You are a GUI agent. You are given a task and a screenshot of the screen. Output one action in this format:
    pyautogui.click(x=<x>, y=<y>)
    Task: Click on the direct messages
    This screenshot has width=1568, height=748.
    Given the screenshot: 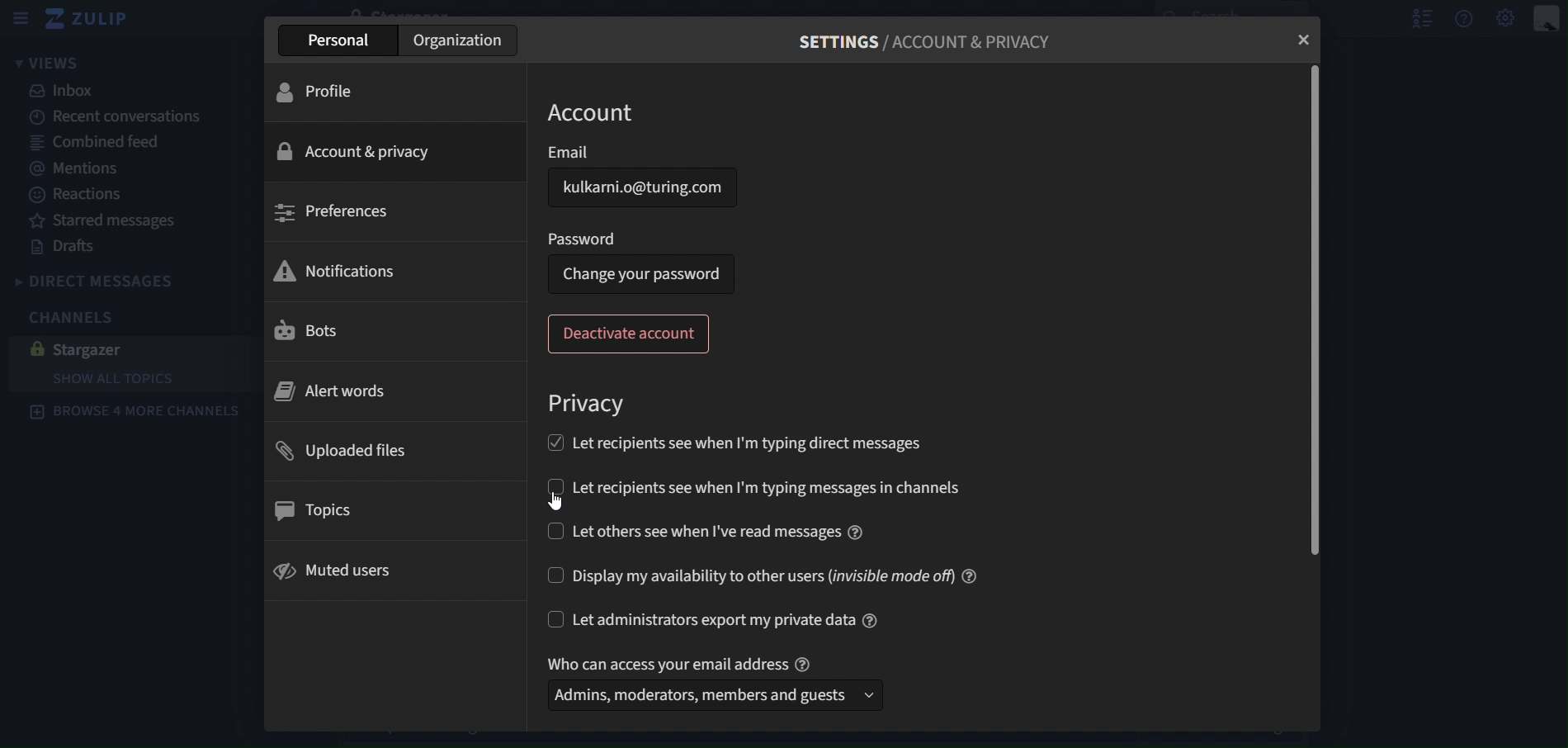 What is the action you would take?
    pyautogui.click(x=97, y=282)
    